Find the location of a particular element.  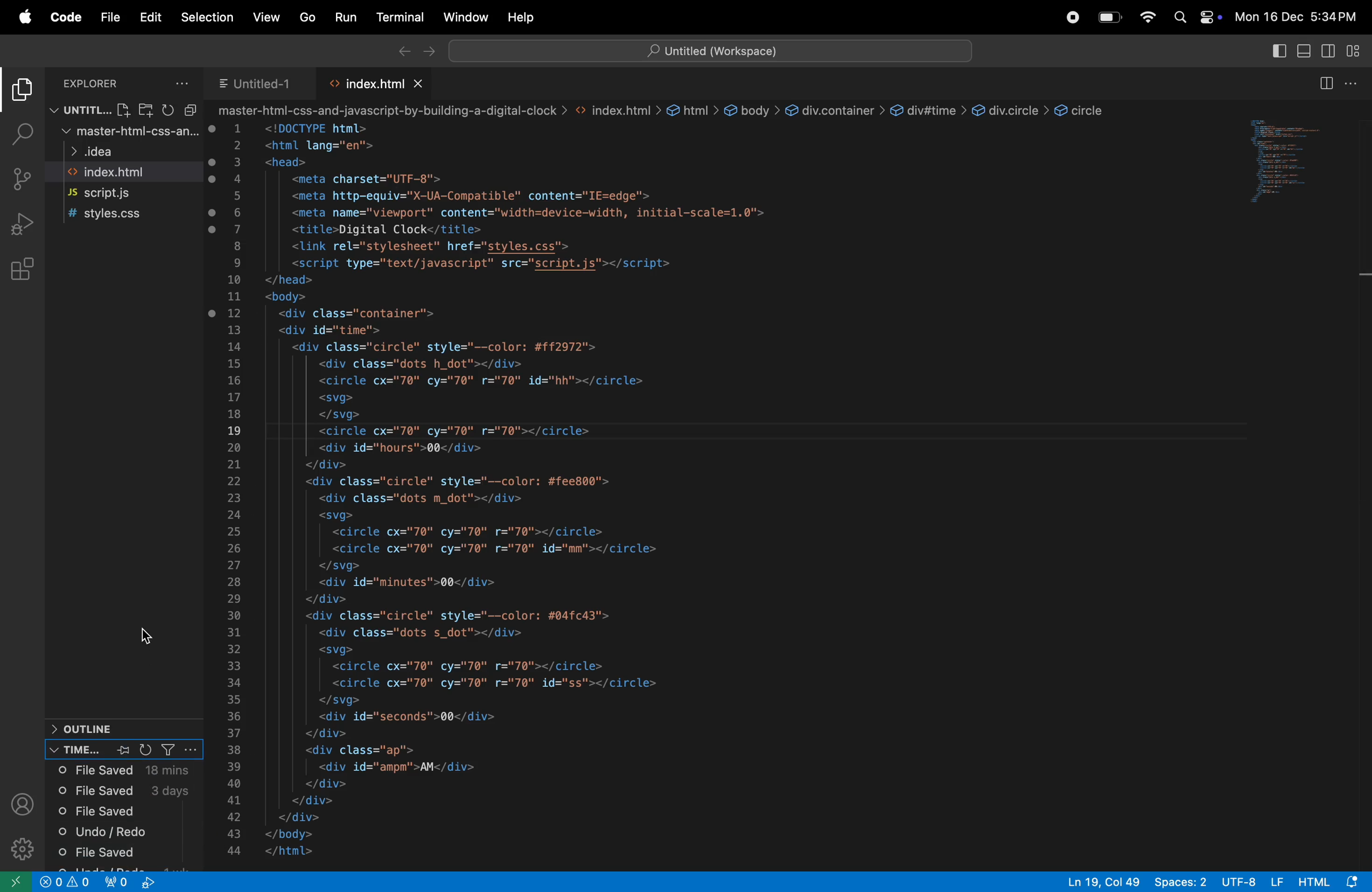

<title>Digital Clock</title> is located at coordinates (395, 230).